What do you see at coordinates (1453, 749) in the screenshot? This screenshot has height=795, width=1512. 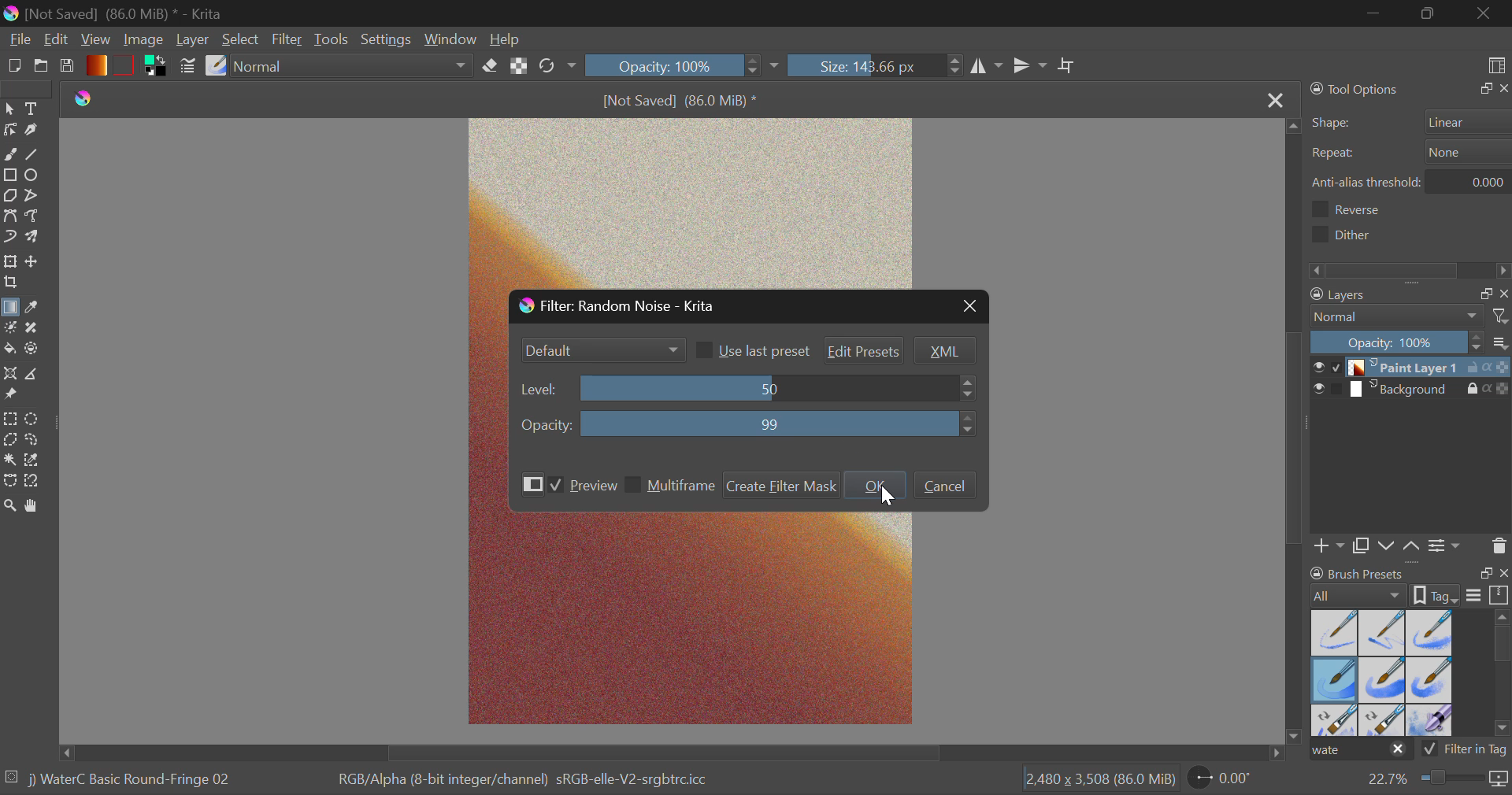 I see `tag filter` at bounding box center [1453, 749].